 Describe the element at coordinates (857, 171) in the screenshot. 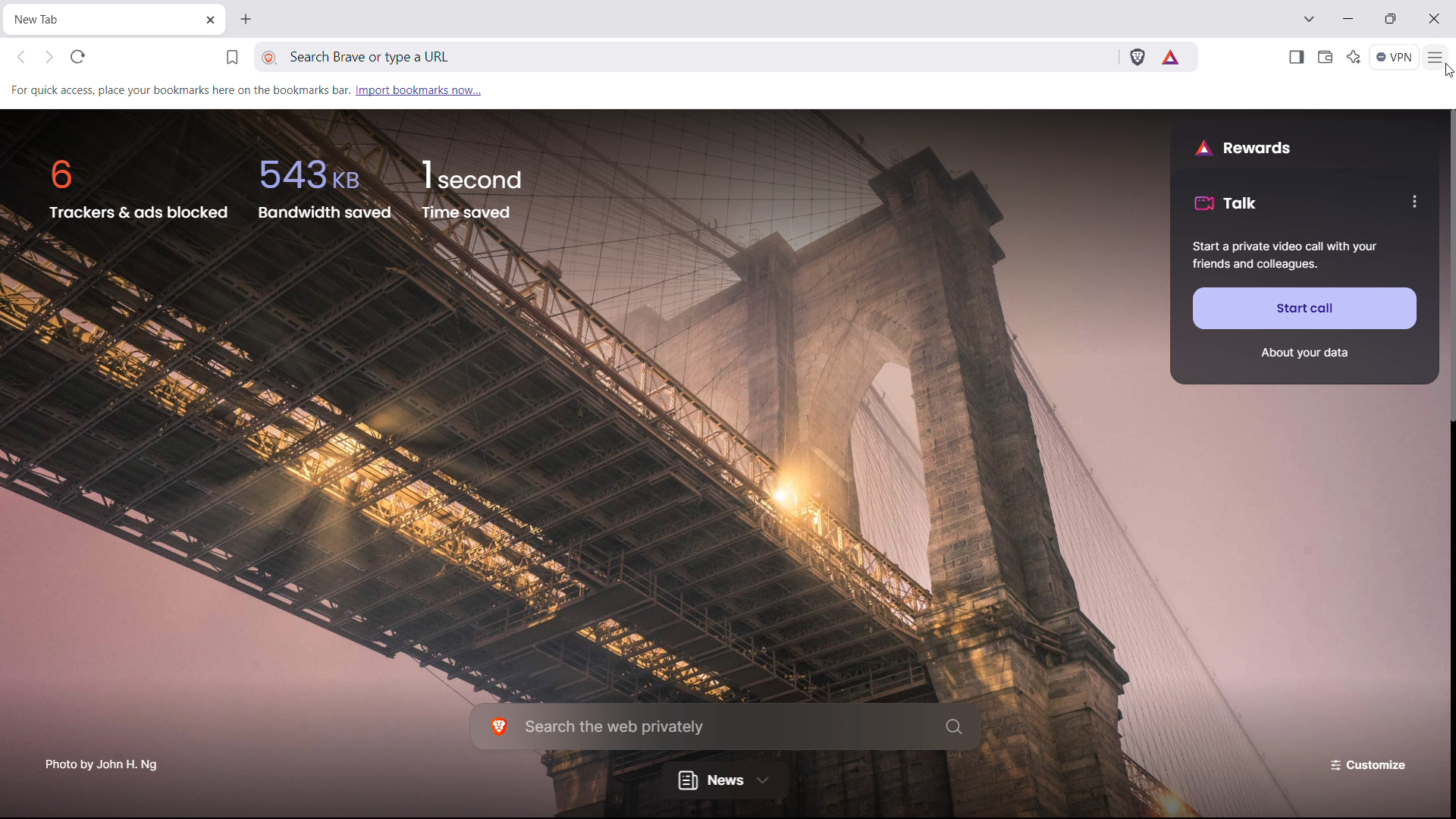

I see `background` at that location.